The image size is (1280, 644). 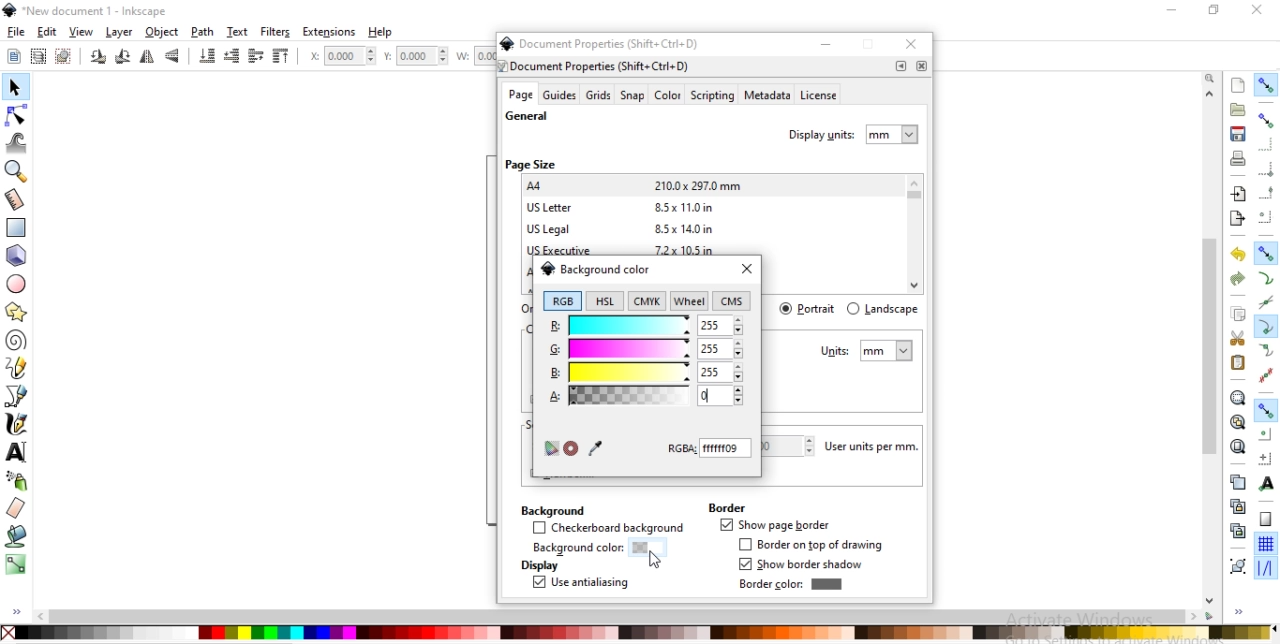 What do you see at coordinates (16, 341) in the screenshot?
I see `create spirals` at bounding box center [16, 341].